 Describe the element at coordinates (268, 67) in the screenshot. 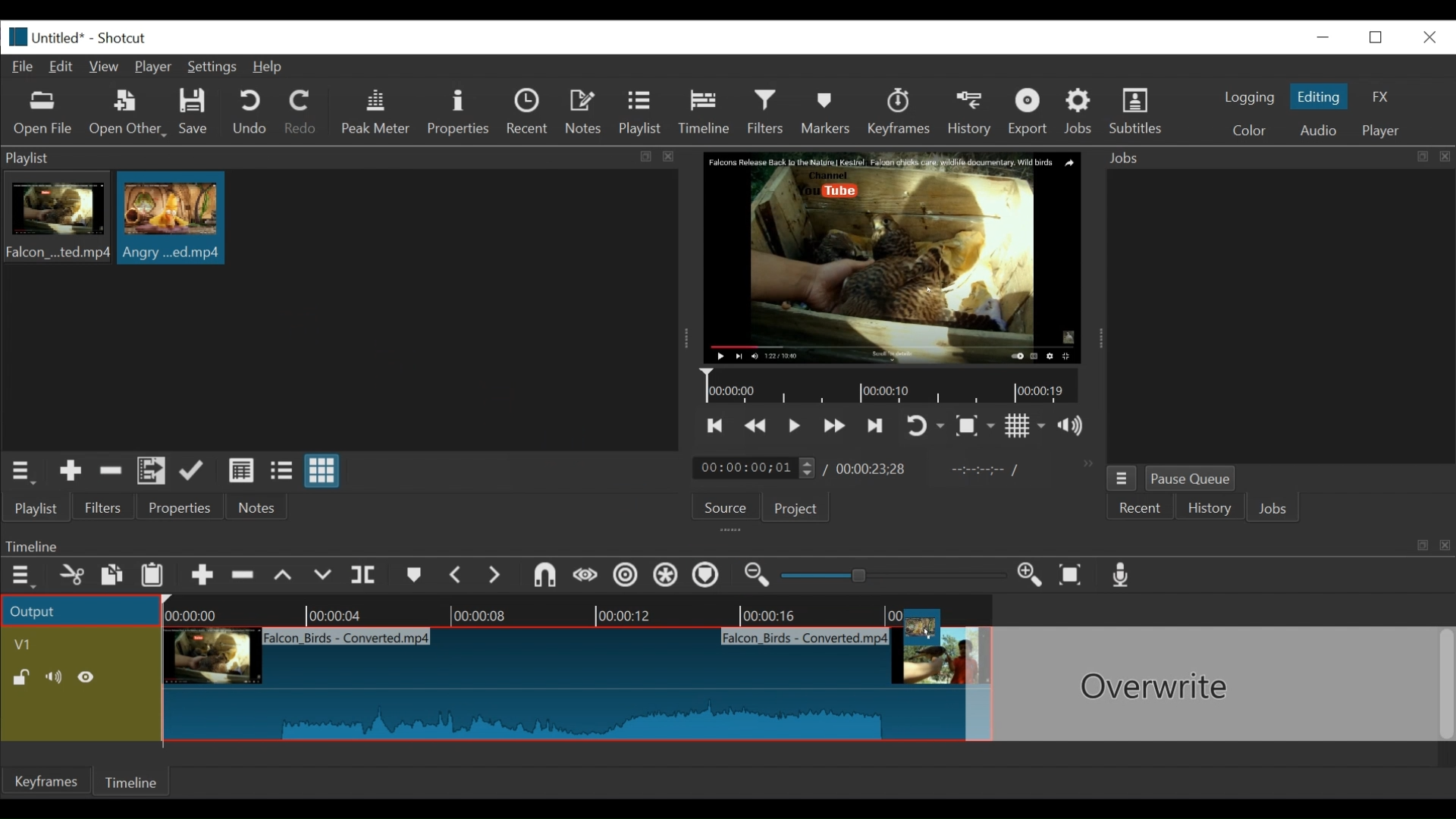

I see `Help` at that location.